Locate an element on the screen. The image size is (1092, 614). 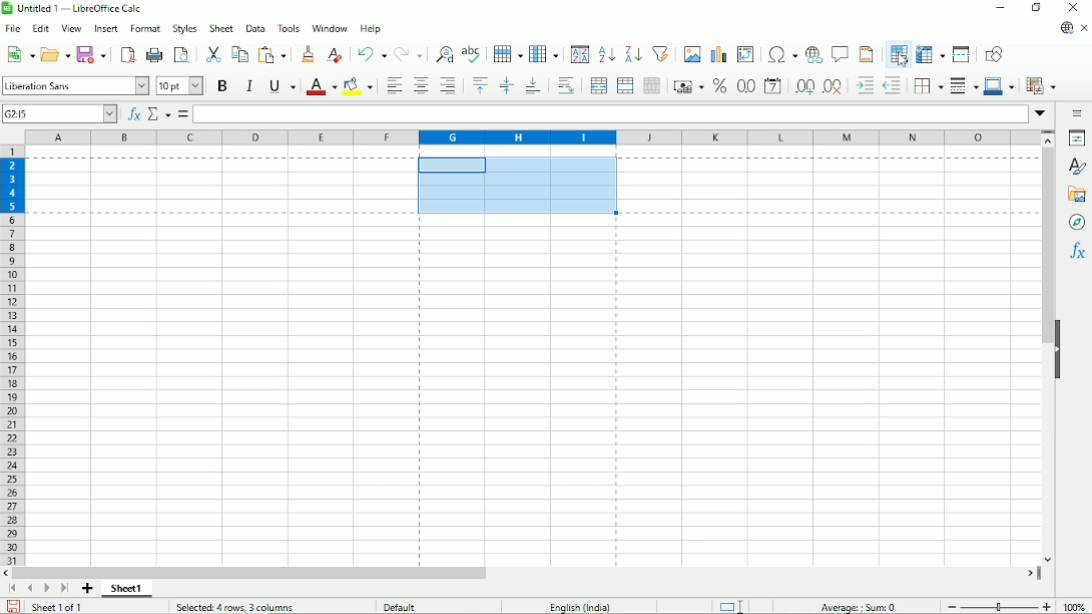
Text color is located at coordinates (321, 86).